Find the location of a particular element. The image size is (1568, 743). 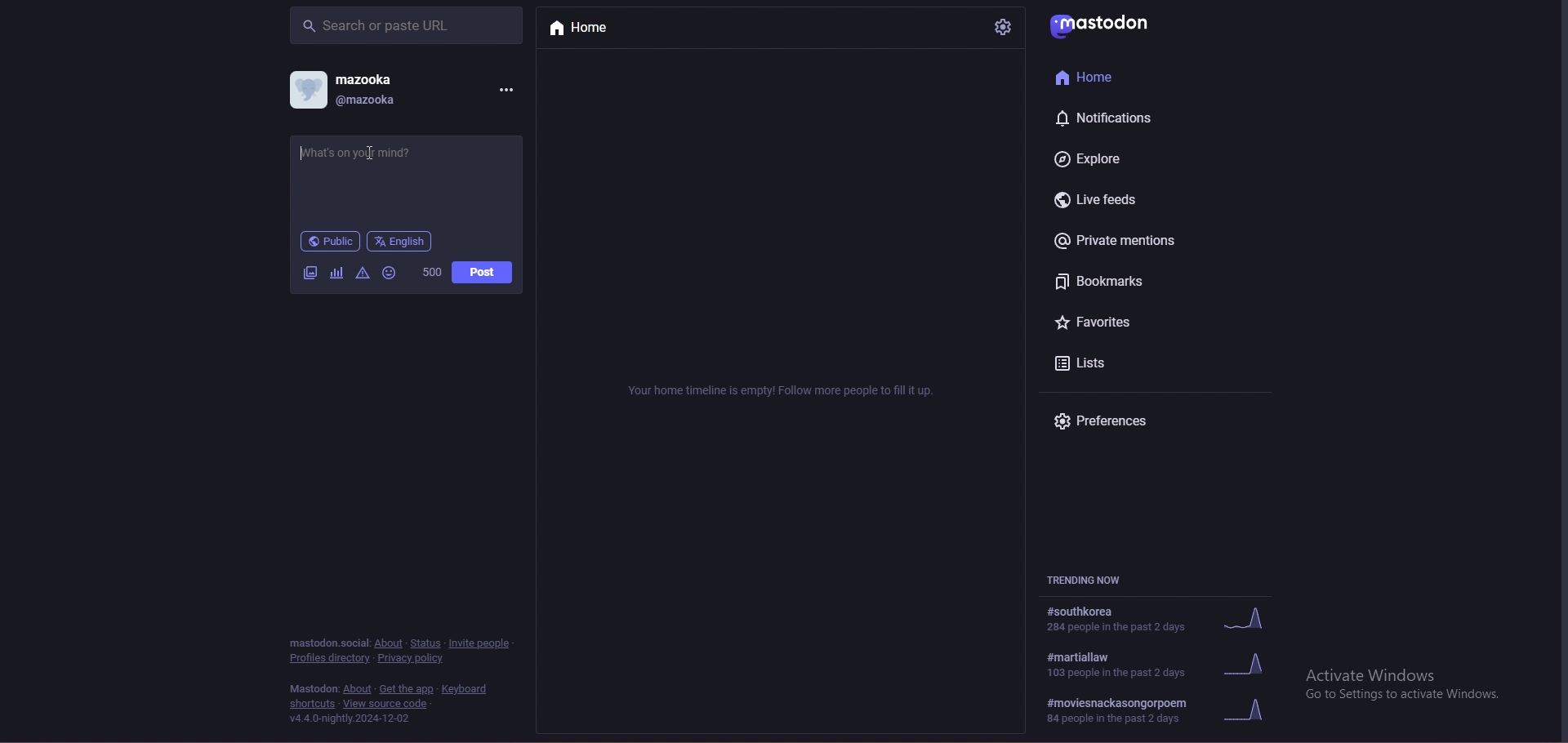

live feeds is located at coordinates (1143, 200).